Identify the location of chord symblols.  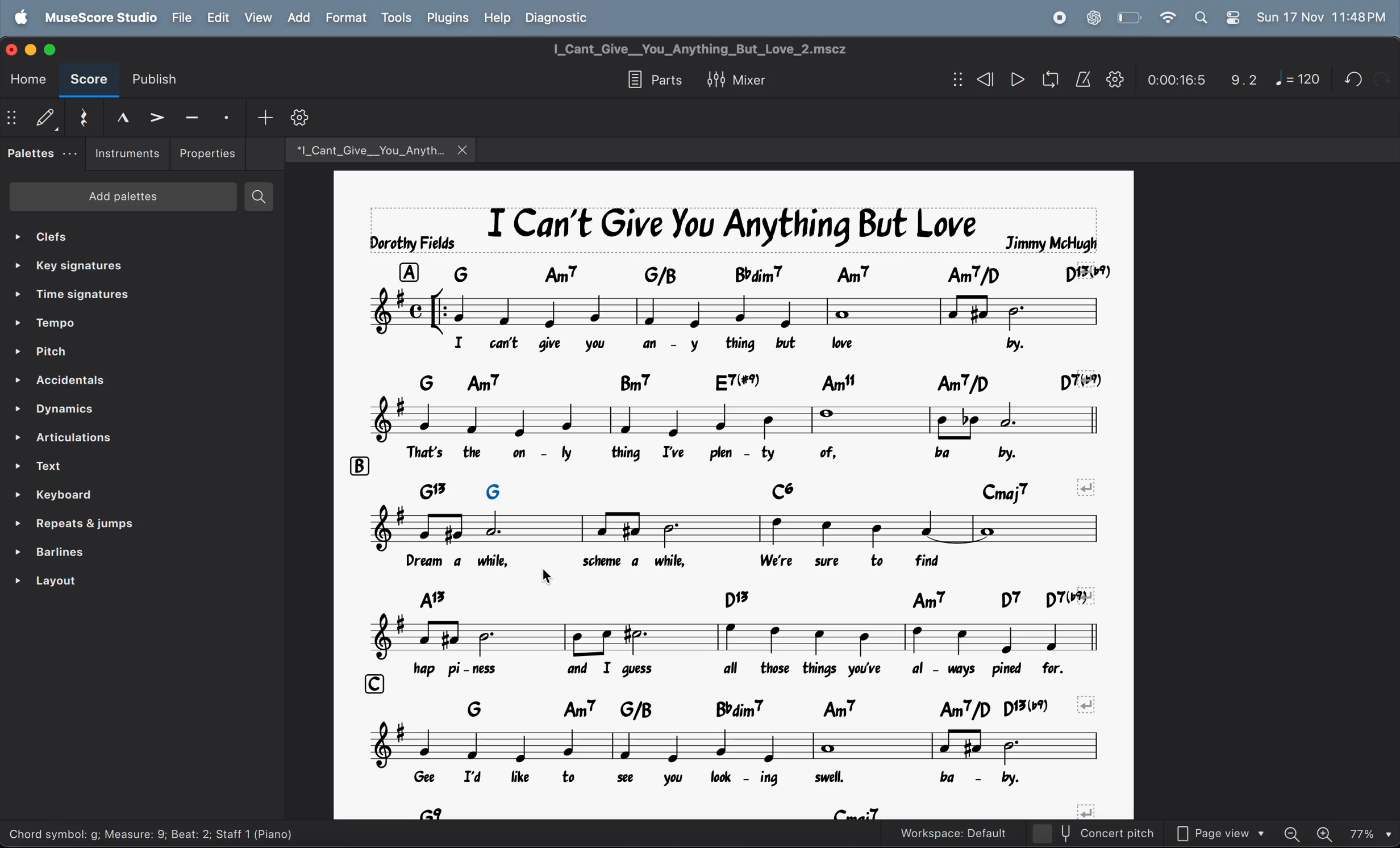
(721, 491).